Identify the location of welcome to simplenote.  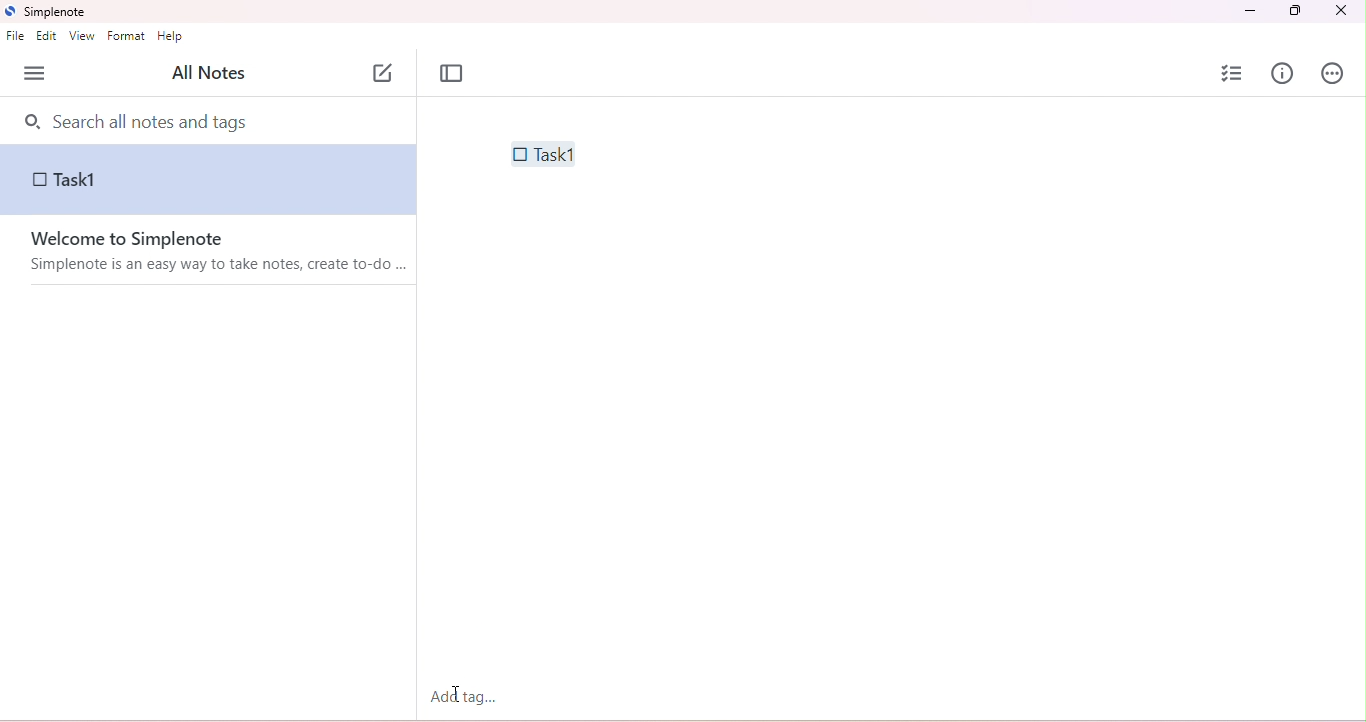
(132, 238).